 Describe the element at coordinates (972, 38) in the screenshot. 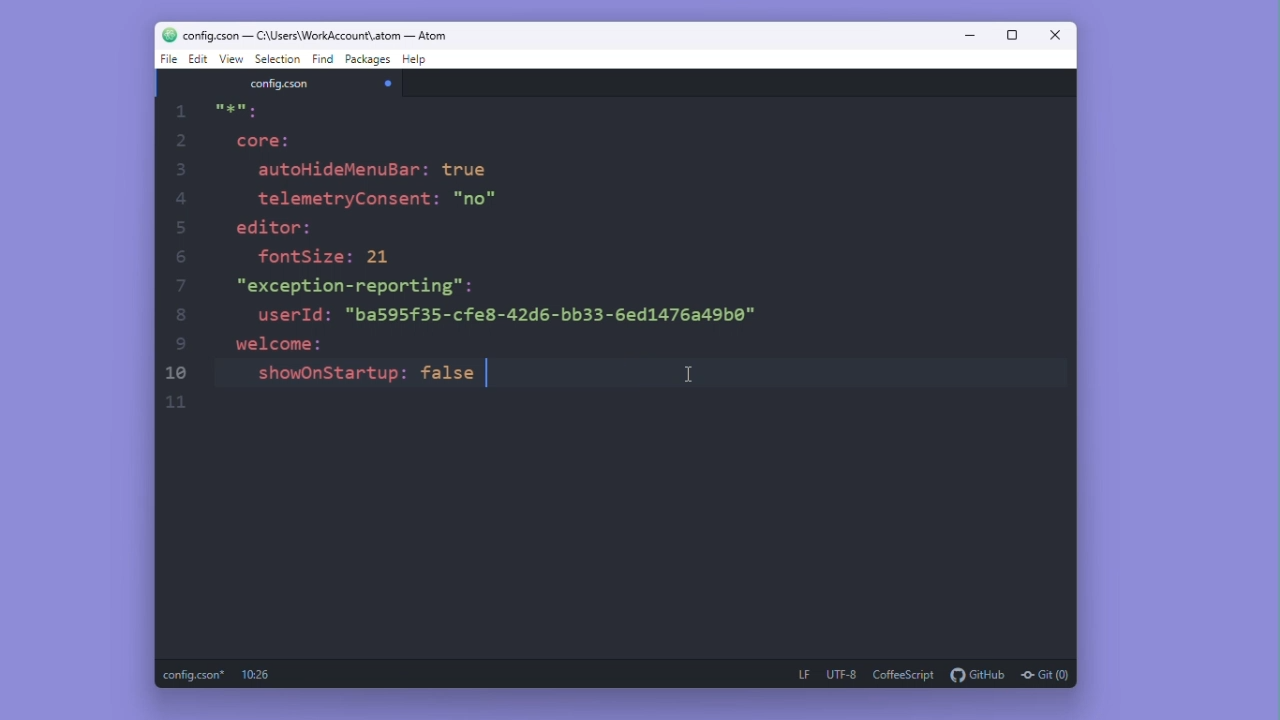

I see `Minimise` at that location.